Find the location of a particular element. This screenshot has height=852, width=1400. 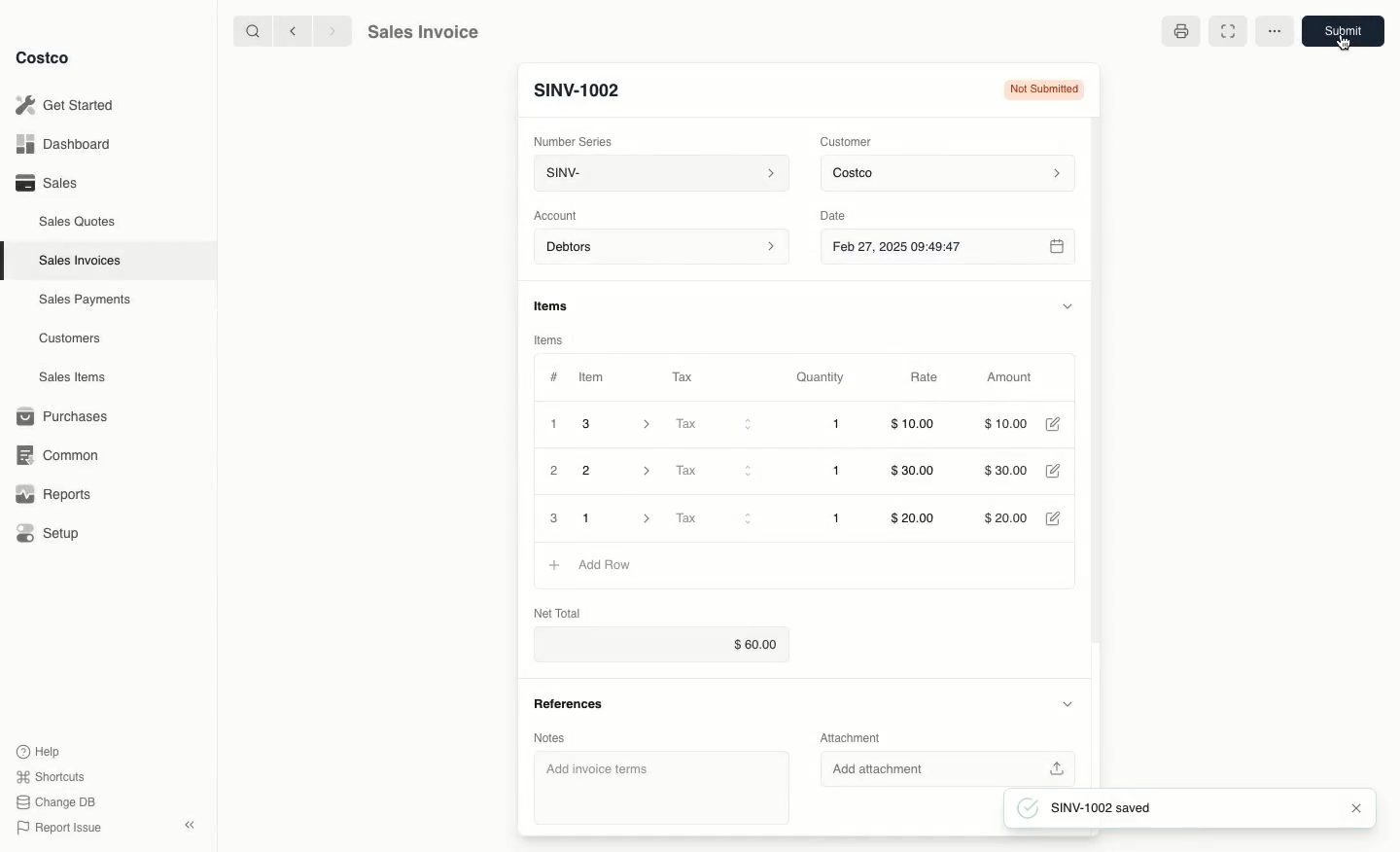

Sales Invoices is located at coordinates (83, 260).